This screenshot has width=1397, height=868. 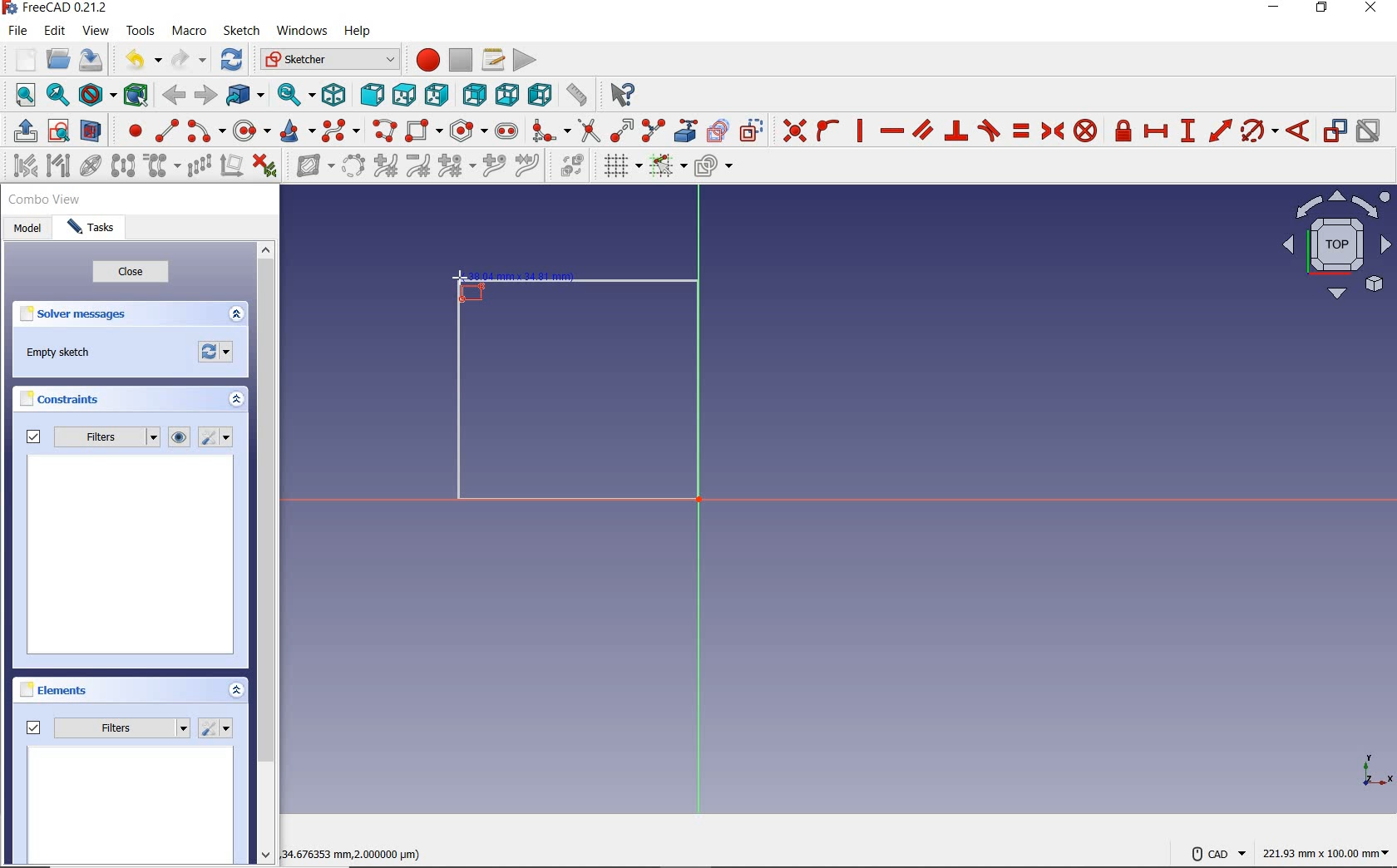 What do you see at coordinates (1218, 848) in the screenshot?
I see `cad` at bounding box center [1218, 848].